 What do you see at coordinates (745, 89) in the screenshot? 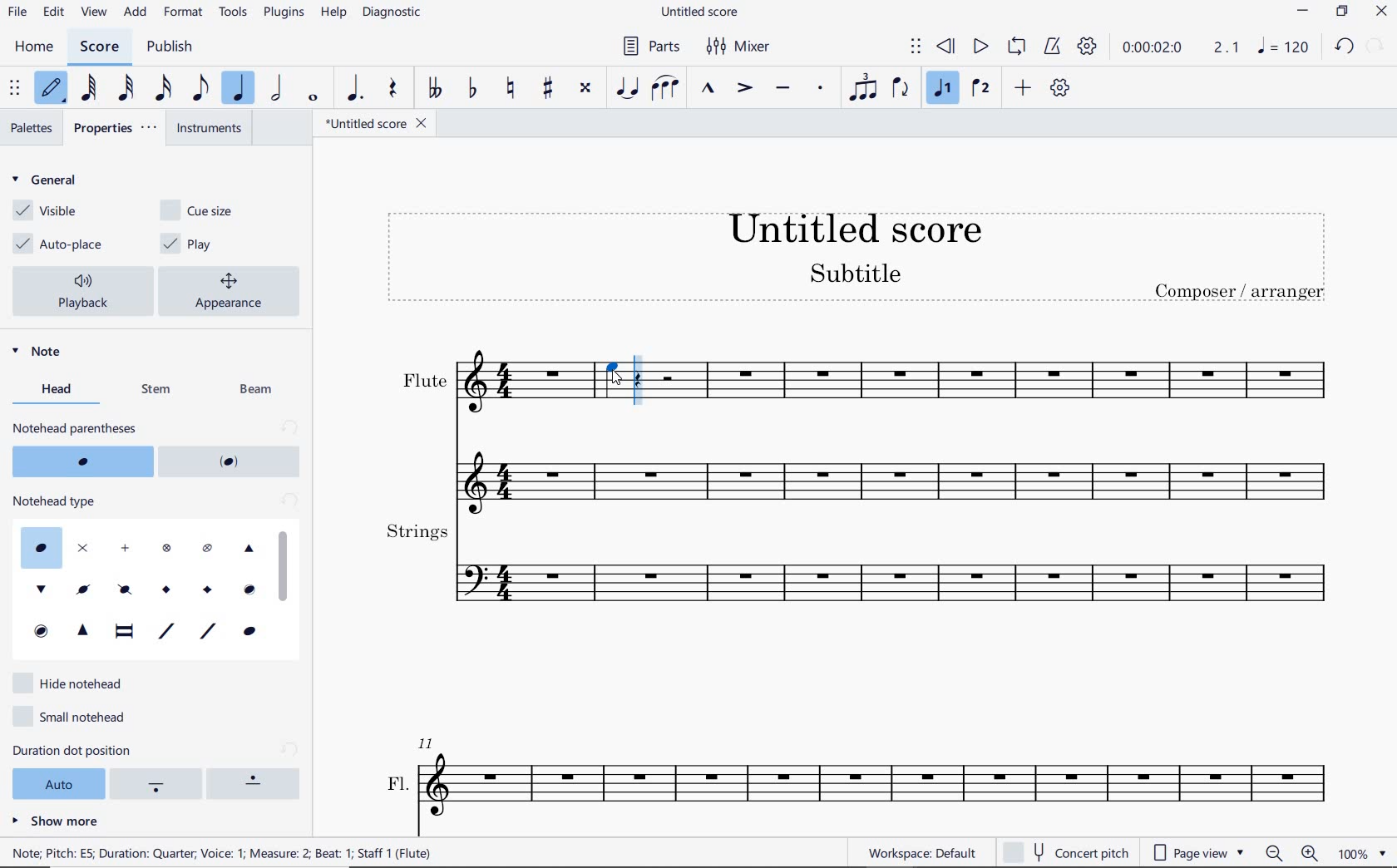
I see `ACCENT` at bounding box center [745, 89].